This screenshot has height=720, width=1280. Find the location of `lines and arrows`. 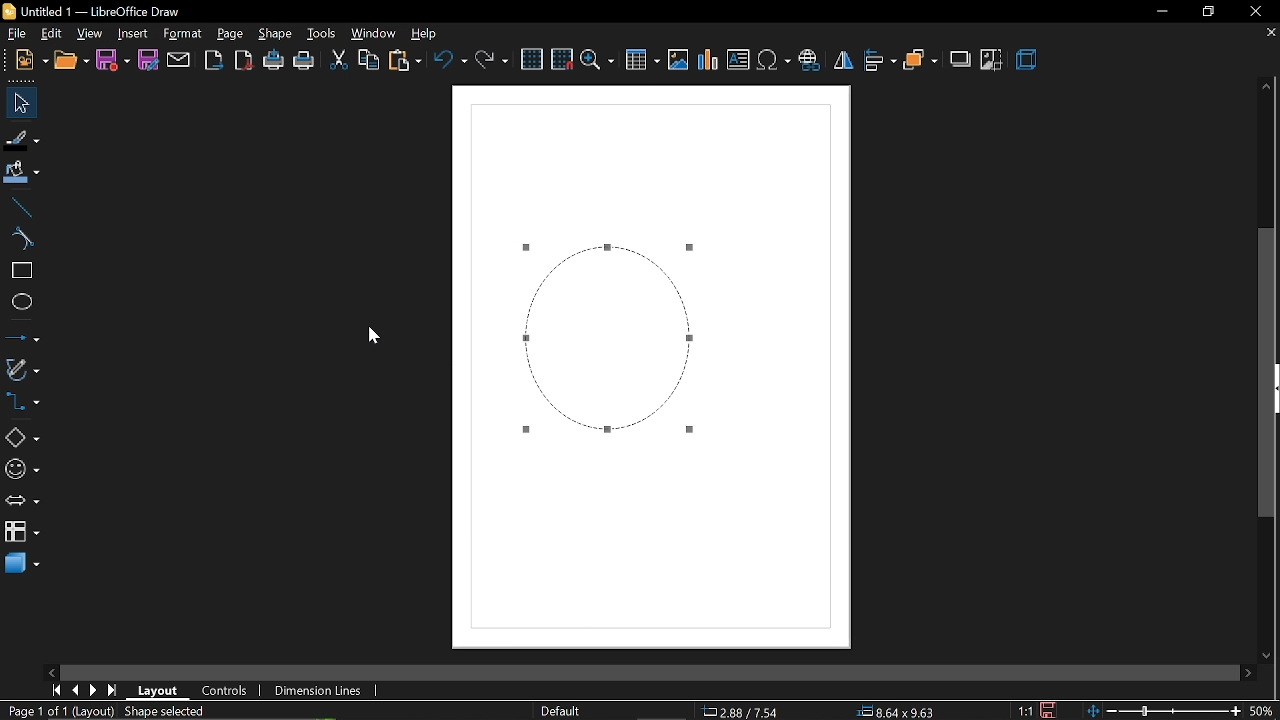

lines and arrows is located at coordinates (24, 336).